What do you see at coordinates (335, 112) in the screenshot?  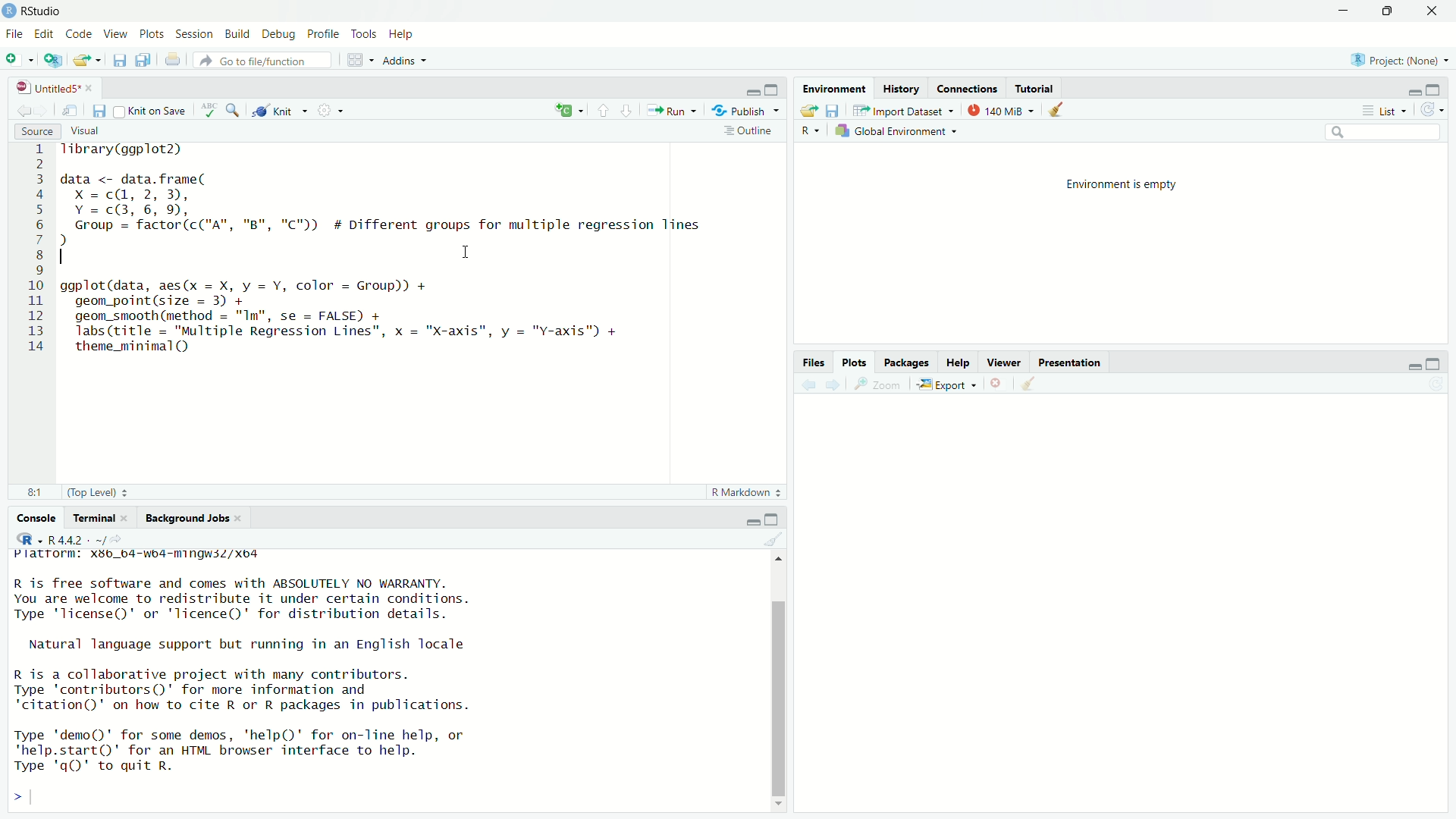 I see `settings` at bounding box center [335, 112].